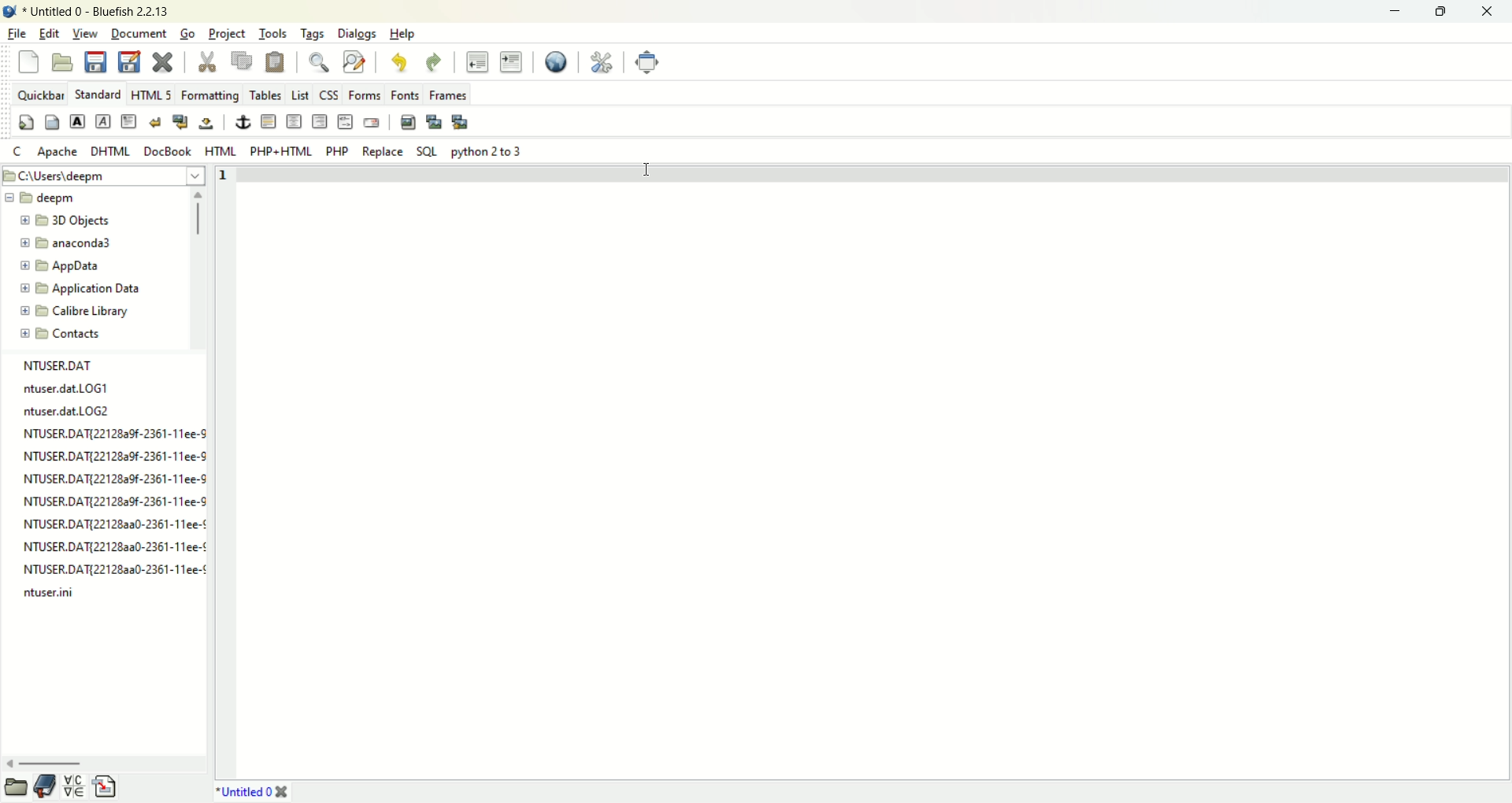 The image size is (1512, 803). What do you see at coordinates (58, 153) in the screenshot?
I see `apache` at bounding box center [58, 153].